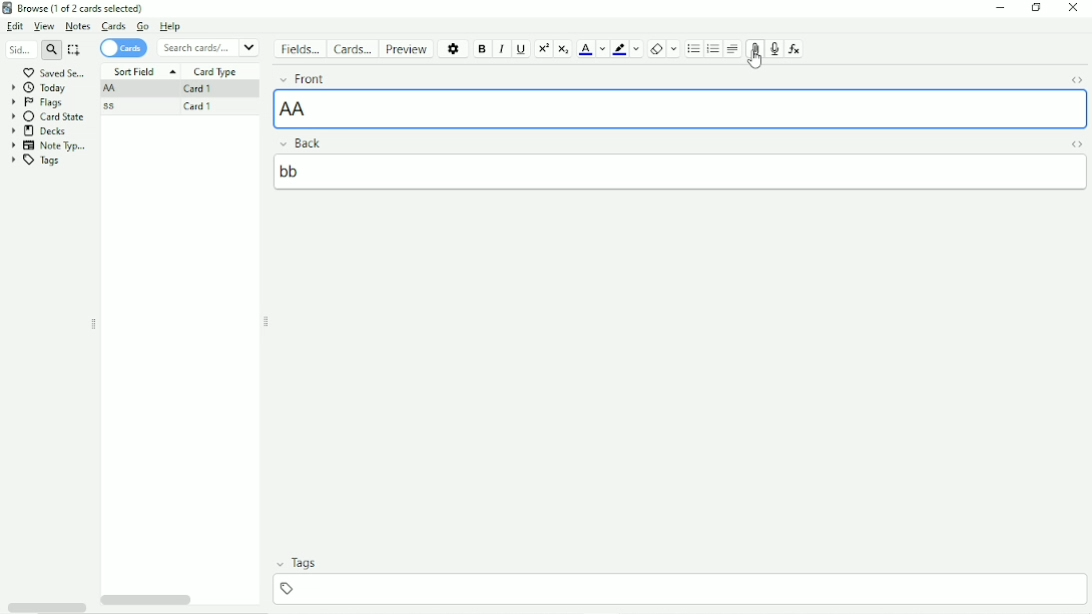 The image size is (1092, 614). I want to click on Restore down, so click(1036, 8).